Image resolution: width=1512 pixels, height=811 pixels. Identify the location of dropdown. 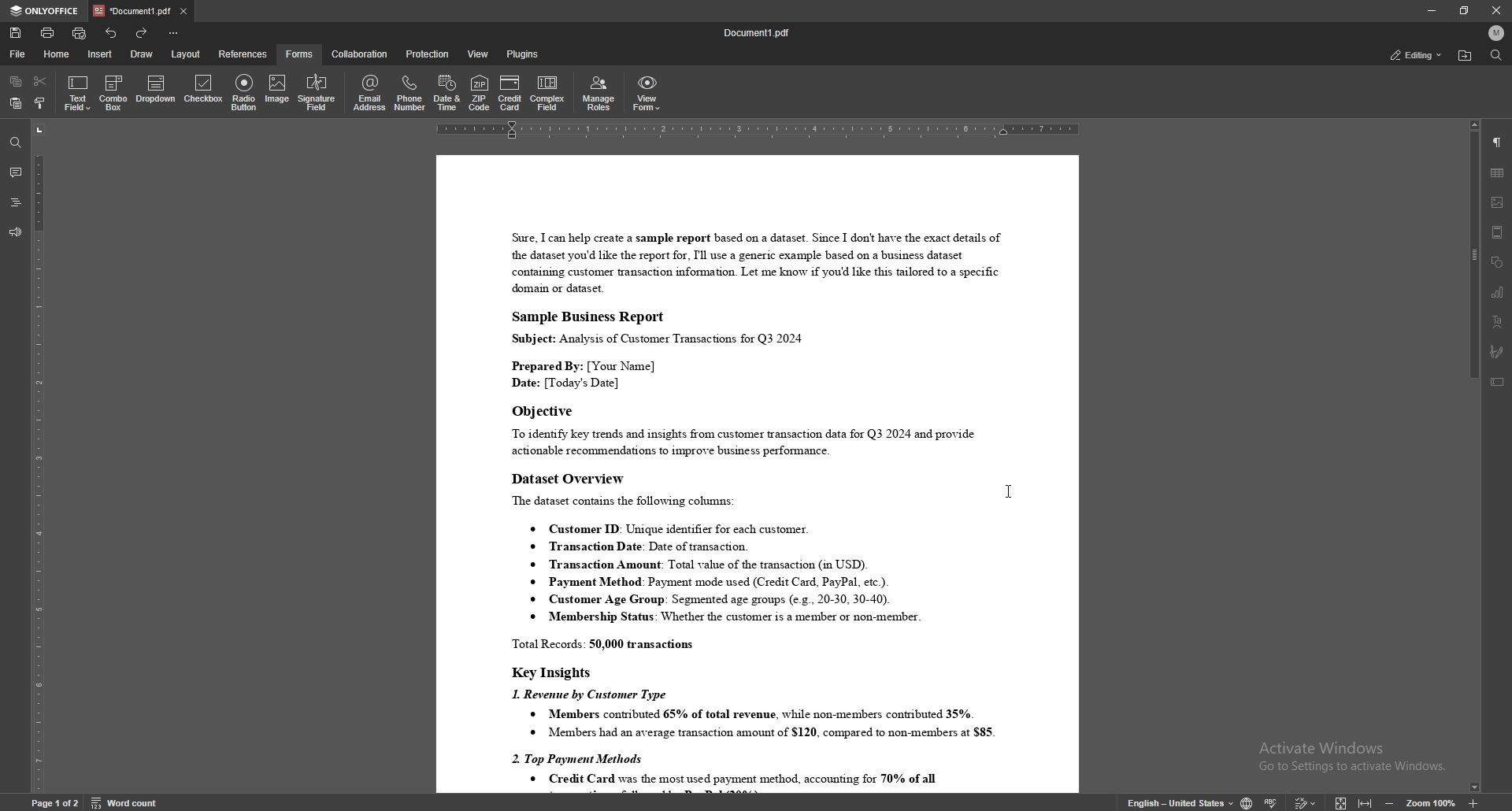
(156, 91).